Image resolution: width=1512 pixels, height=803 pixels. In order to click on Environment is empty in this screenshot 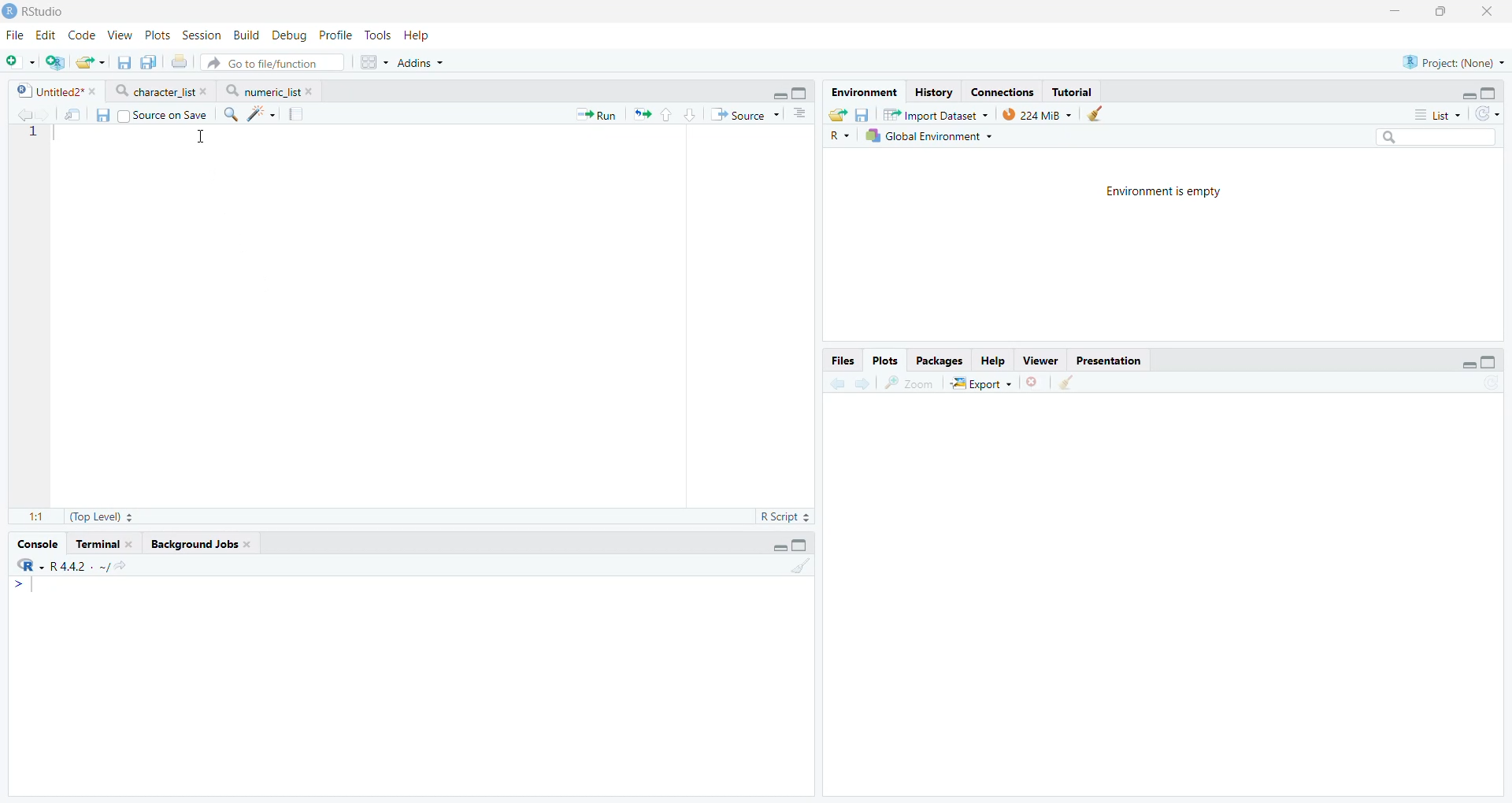, I will do `click(1166, 193)`.